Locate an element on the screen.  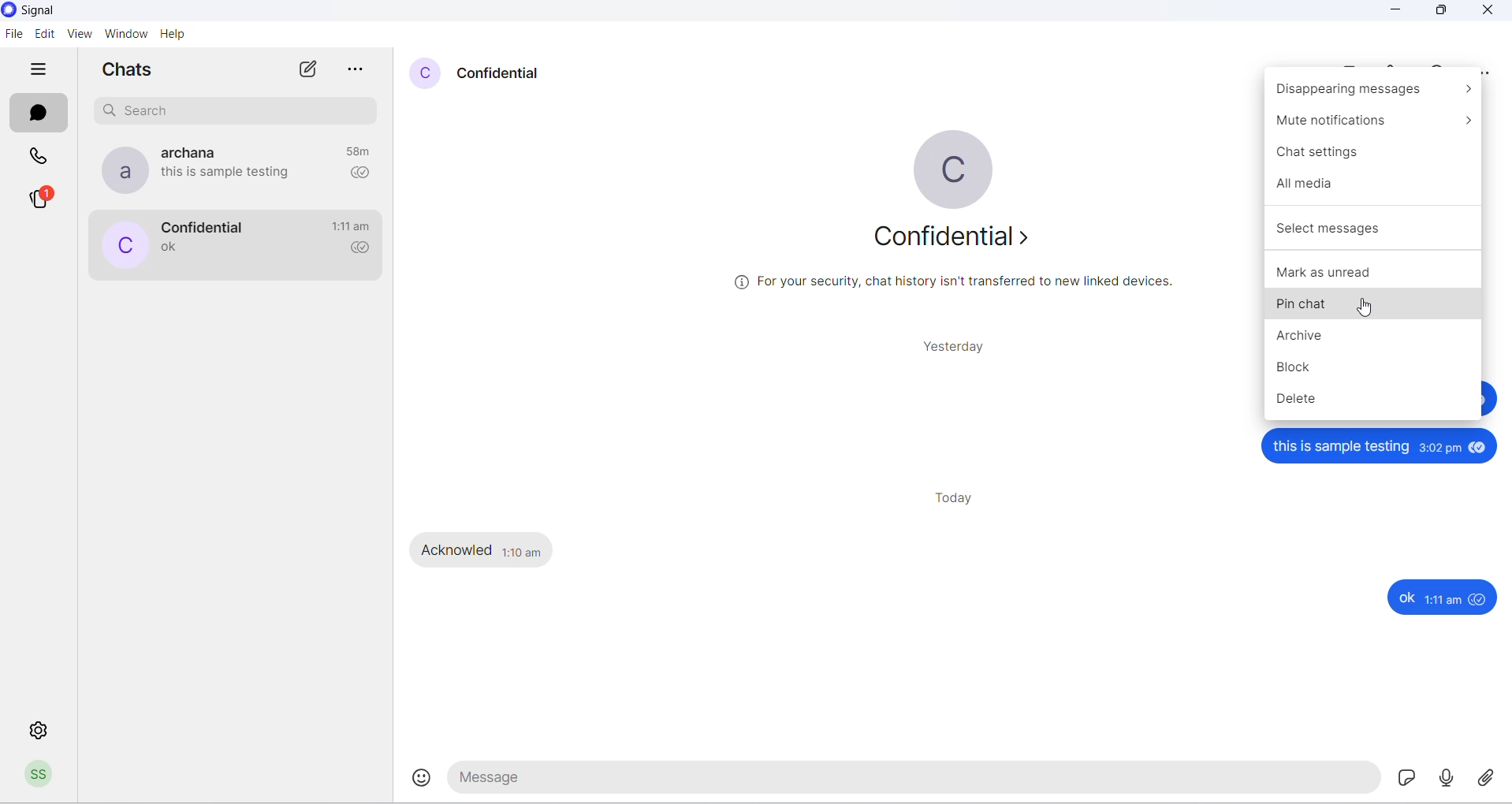
message text area is located at coordinates (915, 782).